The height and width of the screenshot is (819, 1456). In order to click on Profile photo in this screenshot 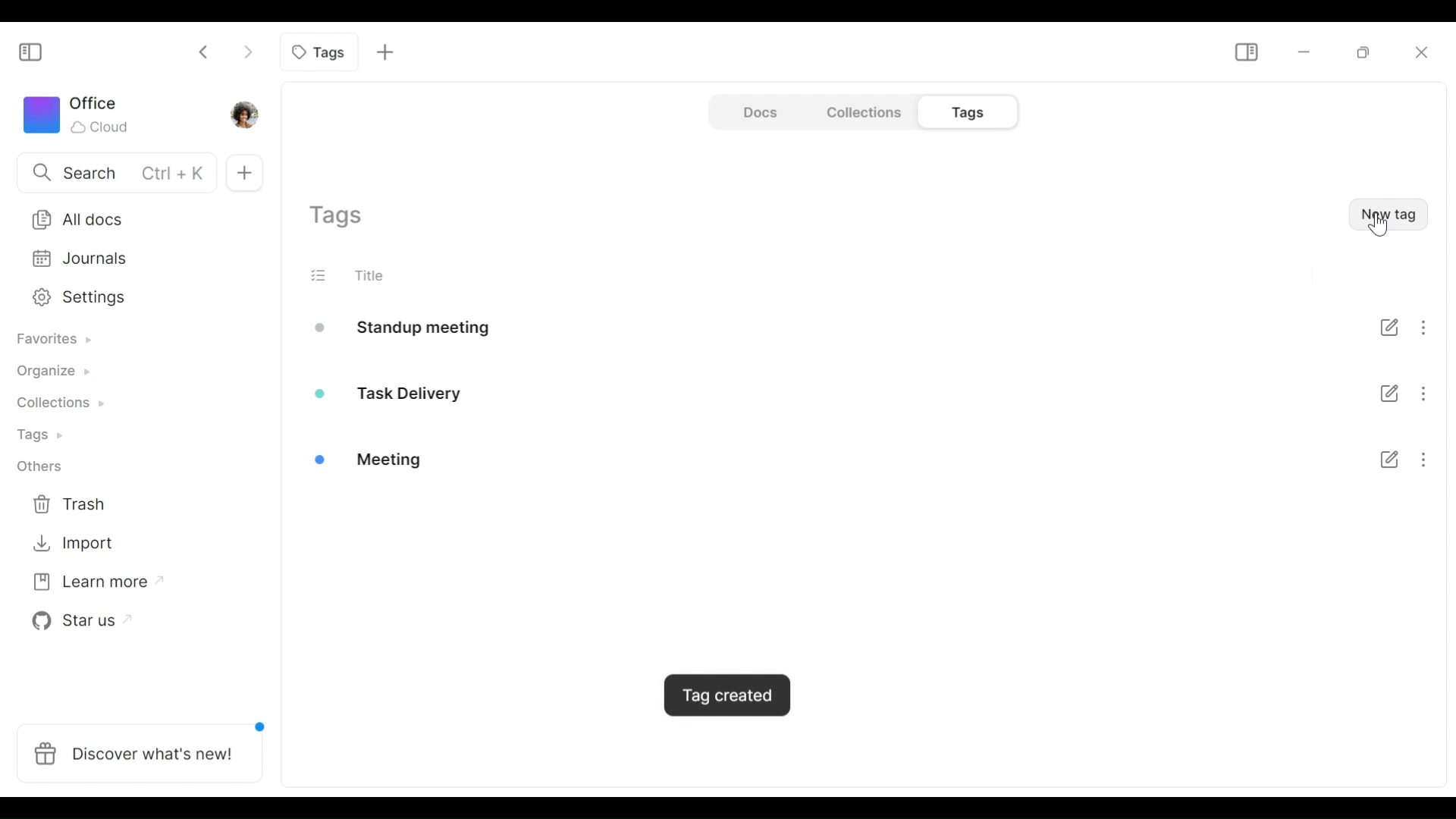, I will do `click(242, 114)`.